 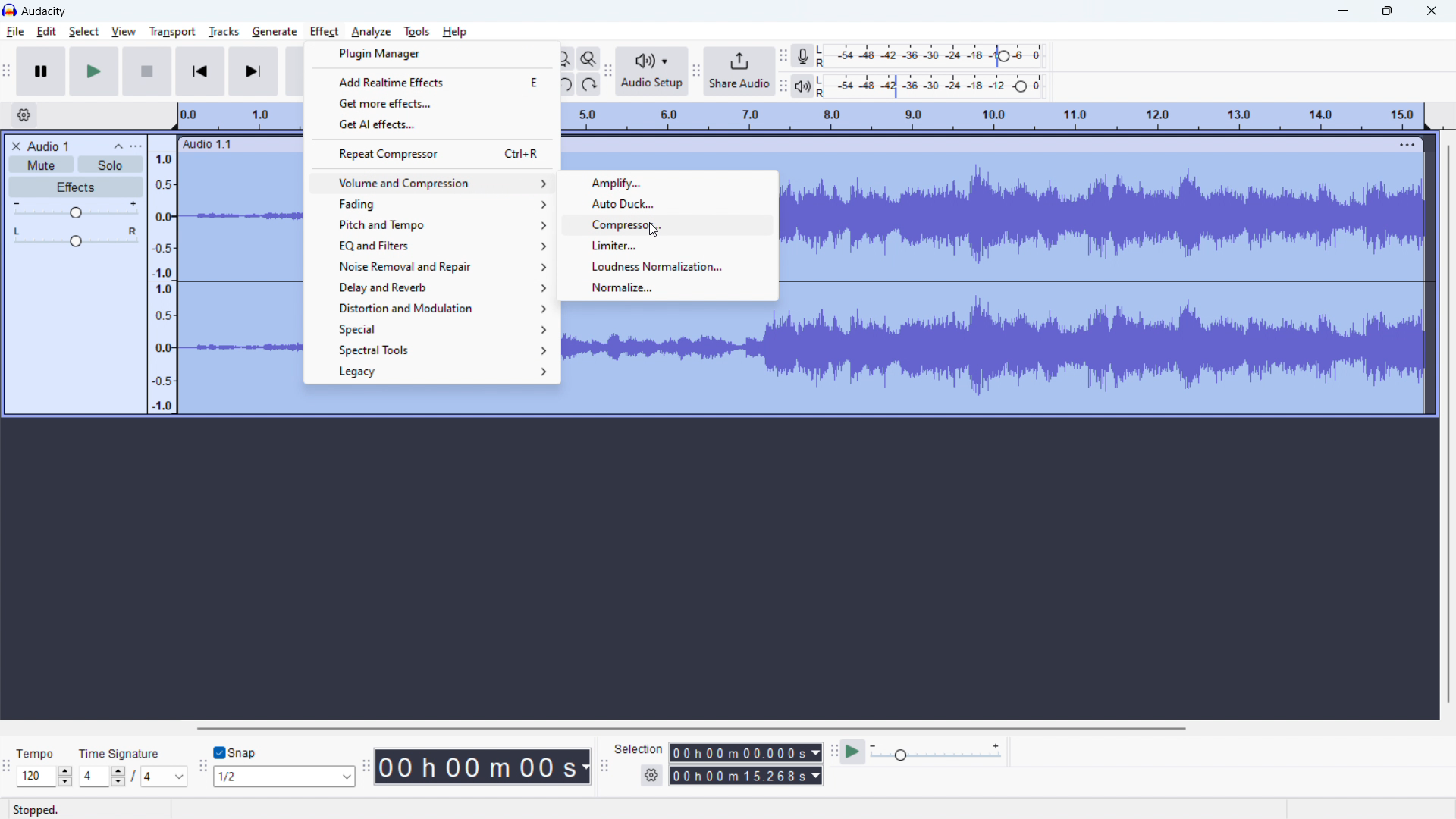 What do you see at coordinates (133, 777) in the screenshot?
I see `4/4 (set time signature)` at bounding box center [133, 777].